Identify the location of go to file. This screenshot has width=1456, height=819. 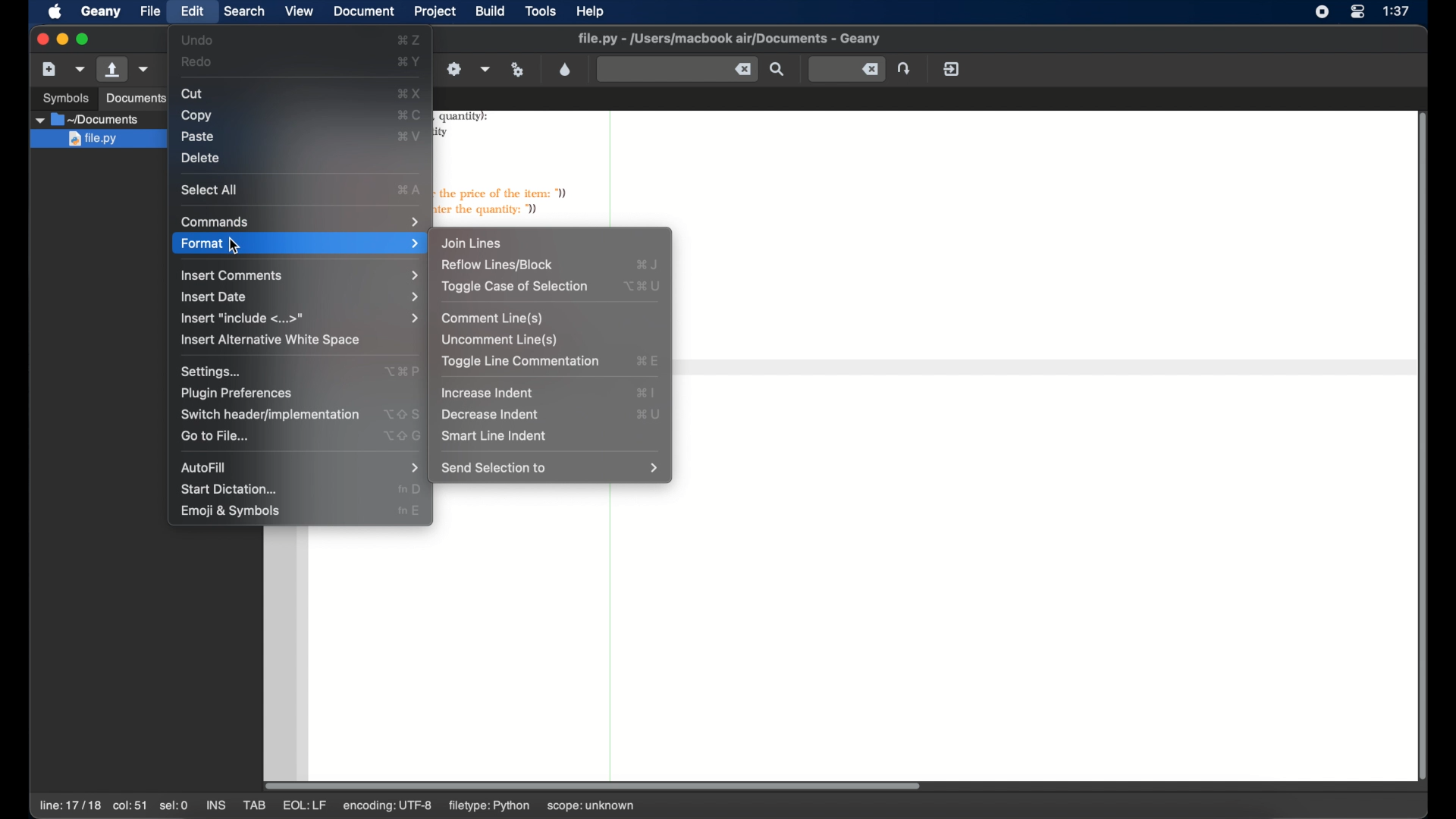
(218, 435).